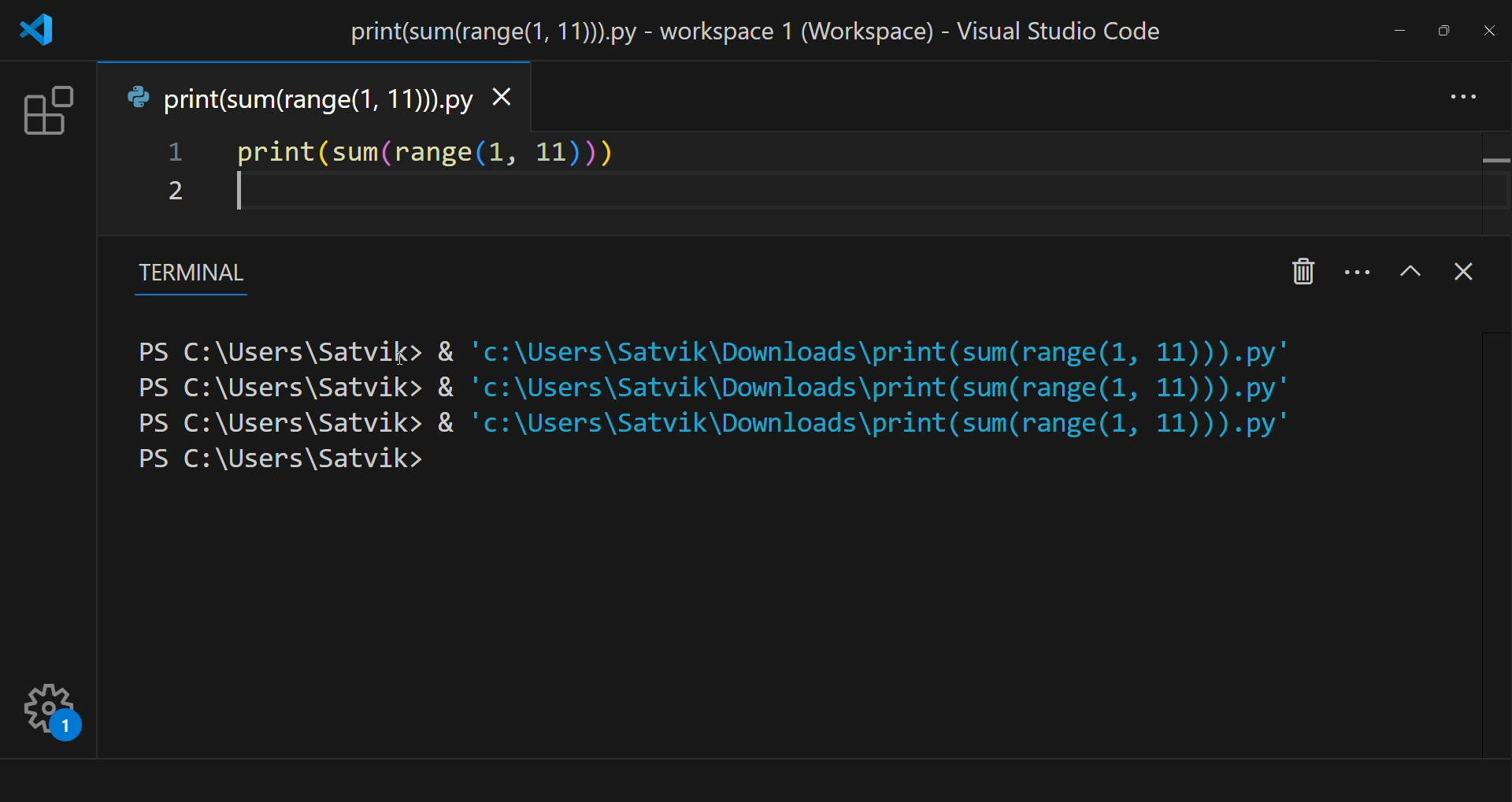 Image resolution: width=1512 pixels, height=802 pixels. I want to click on more, so click(1466, 96).